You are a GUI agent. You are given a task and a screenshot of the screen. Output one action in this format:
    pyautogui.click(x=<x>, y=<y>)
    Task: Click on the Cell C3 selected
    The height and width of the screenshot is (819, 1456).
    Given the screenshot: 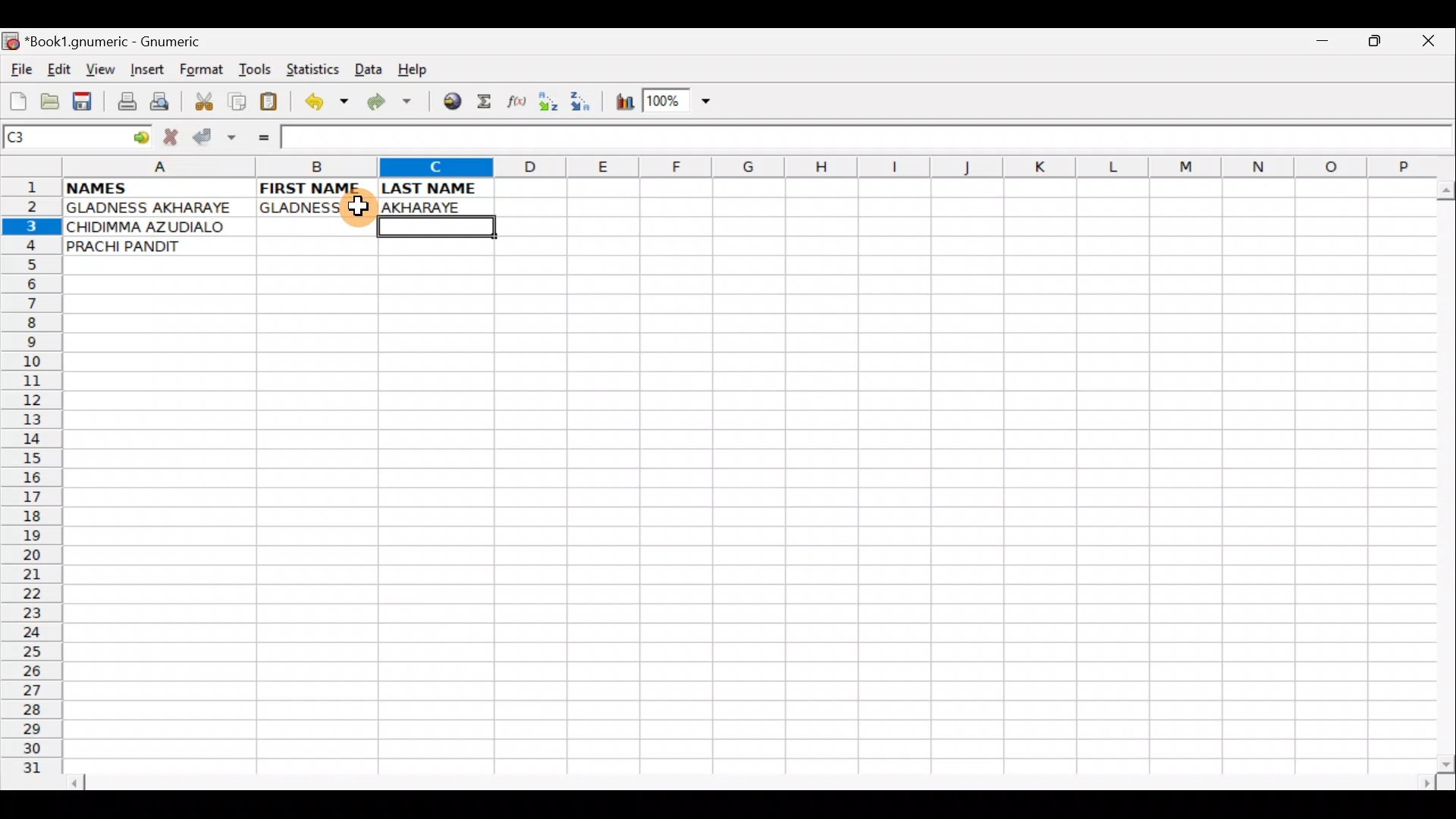 What is the action you would take?
    pyautogui.click(x=433, y=227)
    